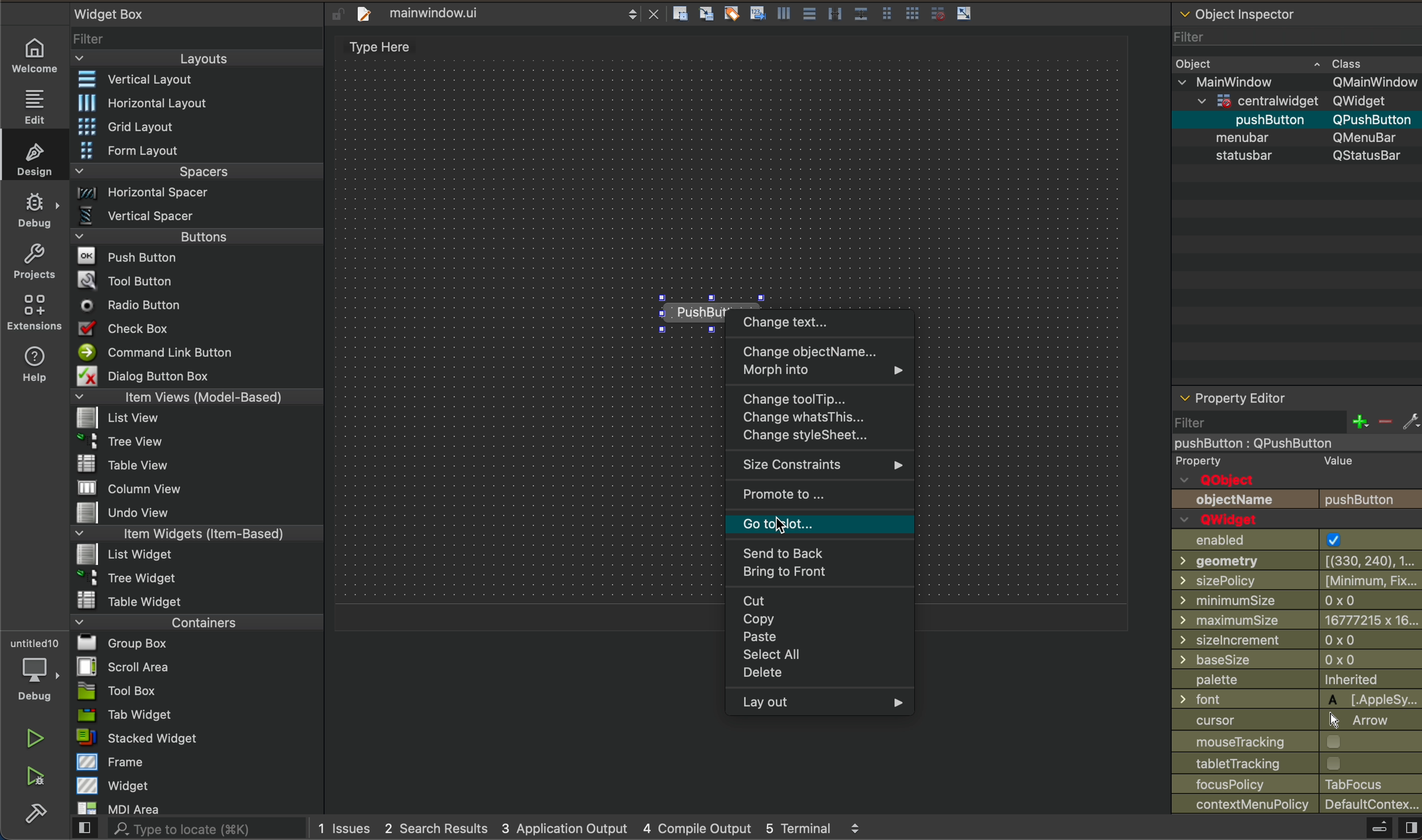 The image size is (1422, 840). Describe the element at coordinates (194, 602) in the screenshot. I see `table` at that location.